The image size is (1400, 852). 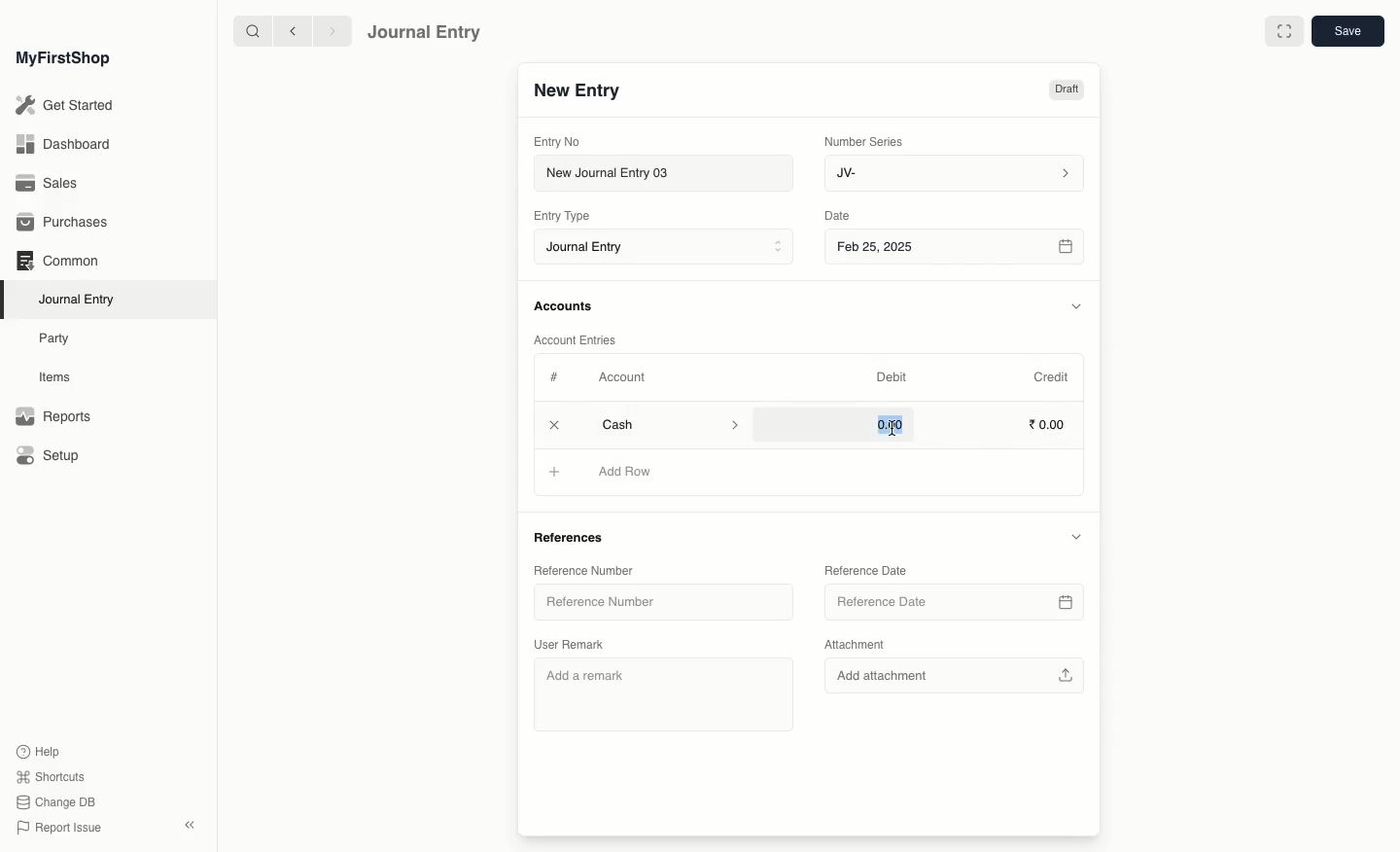 What do you see at coordinates (61, 59) in the screenshot?
I see `MyFirstShop` at bounding box center [61, 59].